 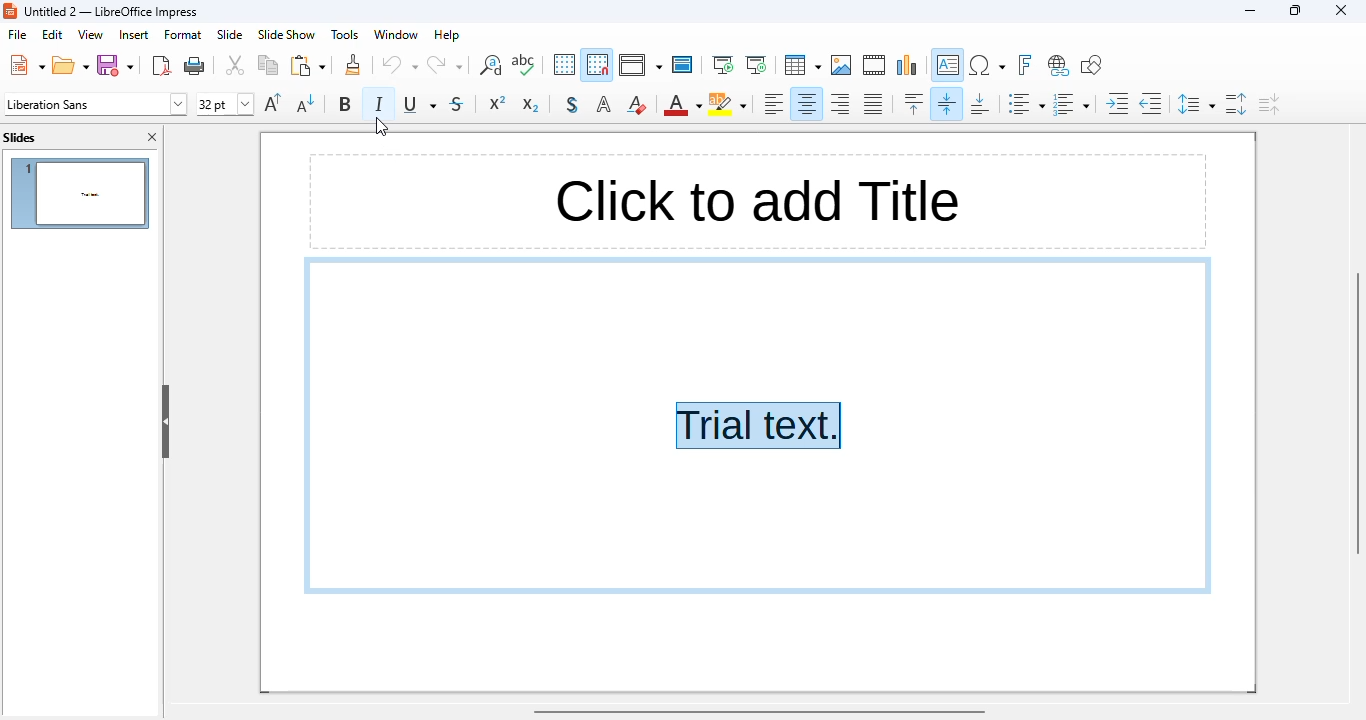 I want to click on toggle shadow, so click(x=573, y=104).